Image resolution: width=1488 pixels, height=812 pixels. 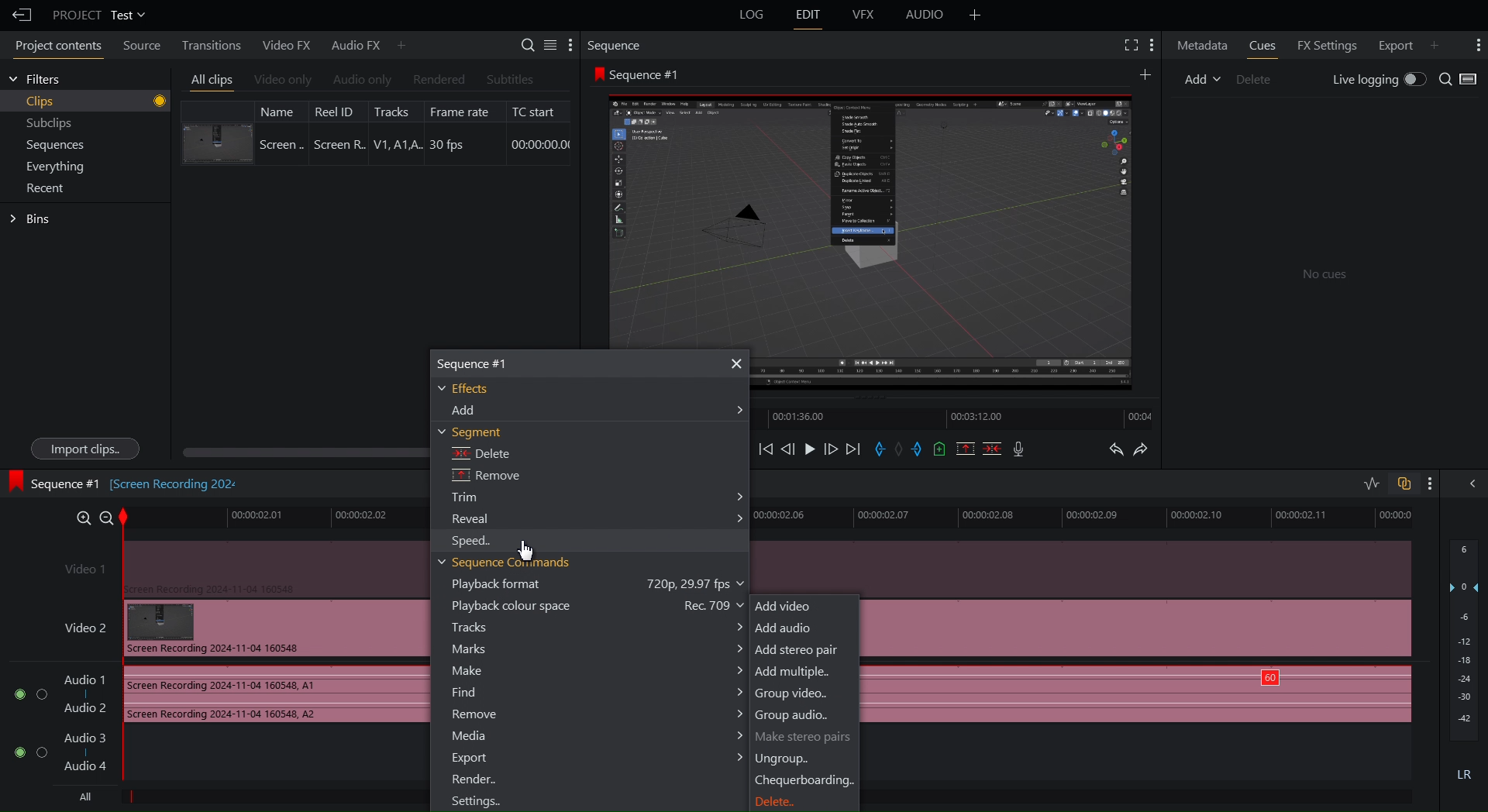 I want to click on More, so click(x=975, y=15).